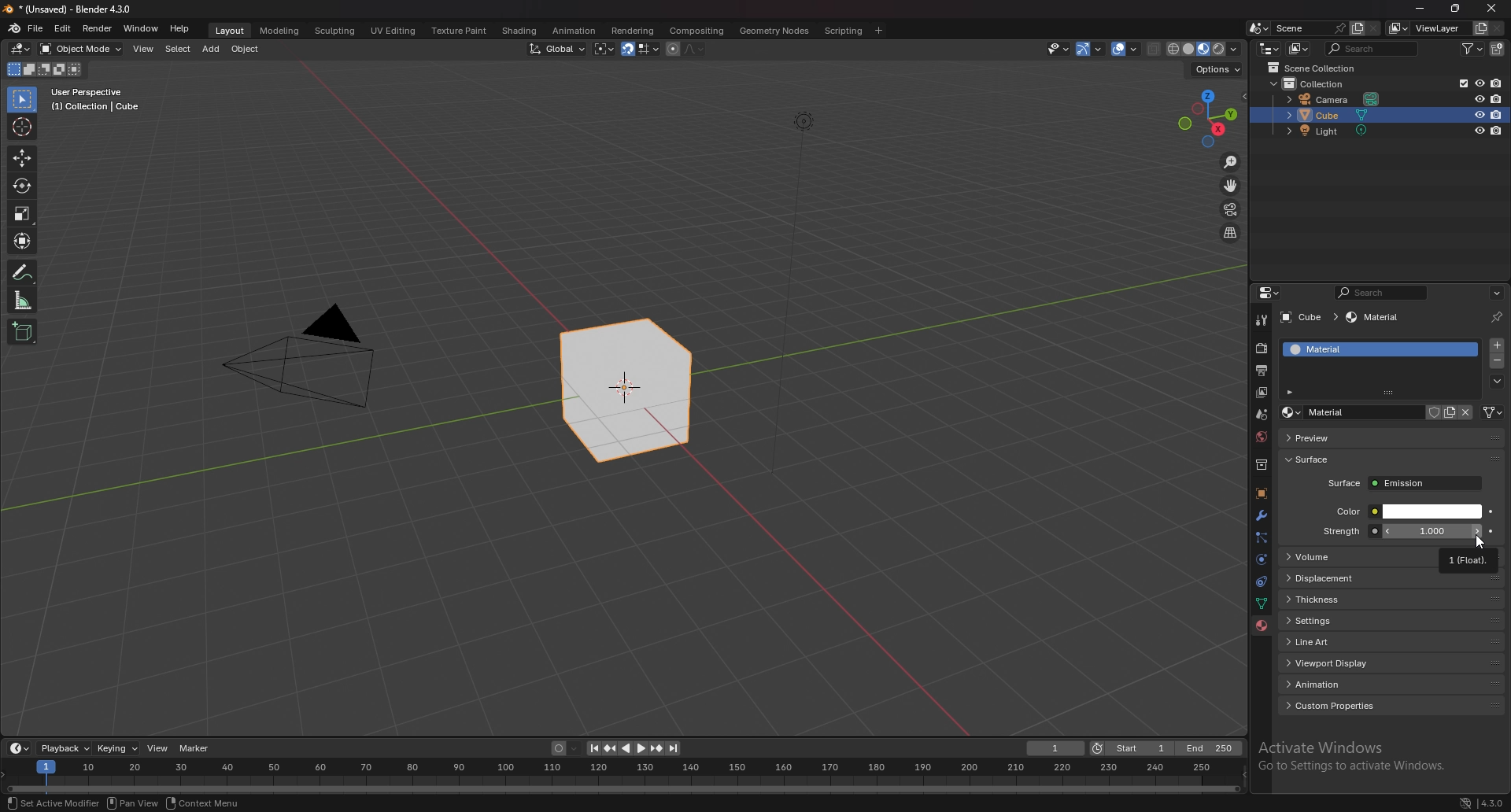  Describe the element at coordinates (1210, 748) in the screenshot. I see `end 250` at that location.